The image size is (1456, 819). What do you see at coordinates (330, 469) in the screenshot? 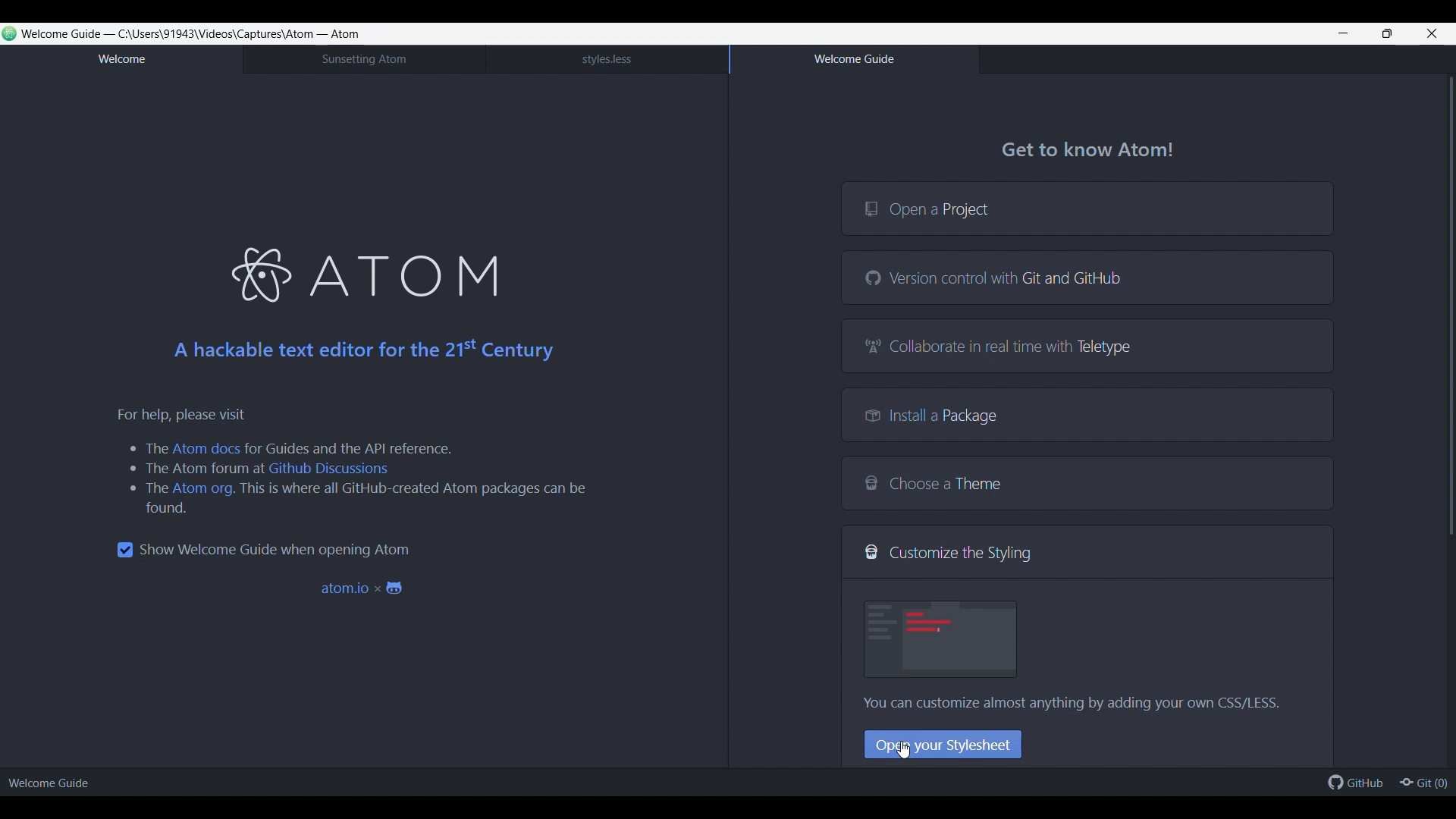
I see `Github Discussions` at bounding box center [330, 469].